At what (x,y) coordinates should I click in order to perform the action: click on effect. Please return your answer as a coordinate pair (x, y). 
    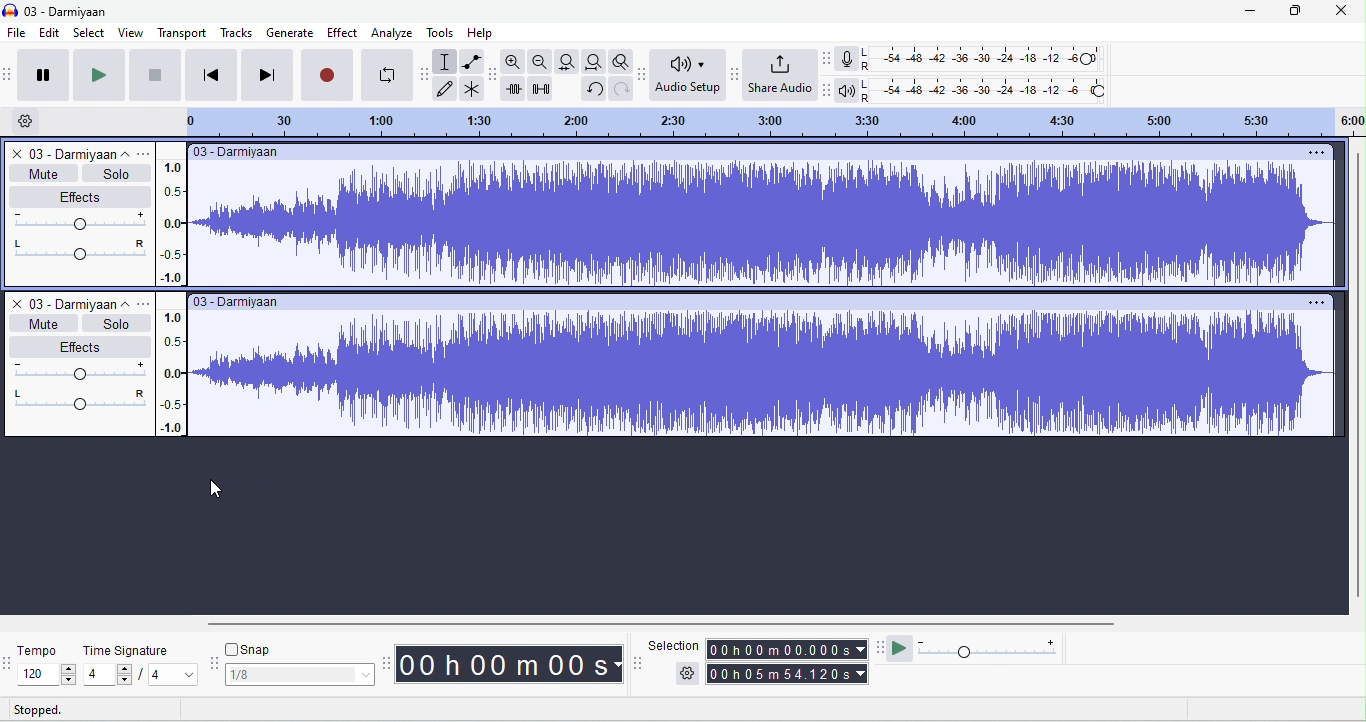
    Looking at the image, I should click on (343, 31).